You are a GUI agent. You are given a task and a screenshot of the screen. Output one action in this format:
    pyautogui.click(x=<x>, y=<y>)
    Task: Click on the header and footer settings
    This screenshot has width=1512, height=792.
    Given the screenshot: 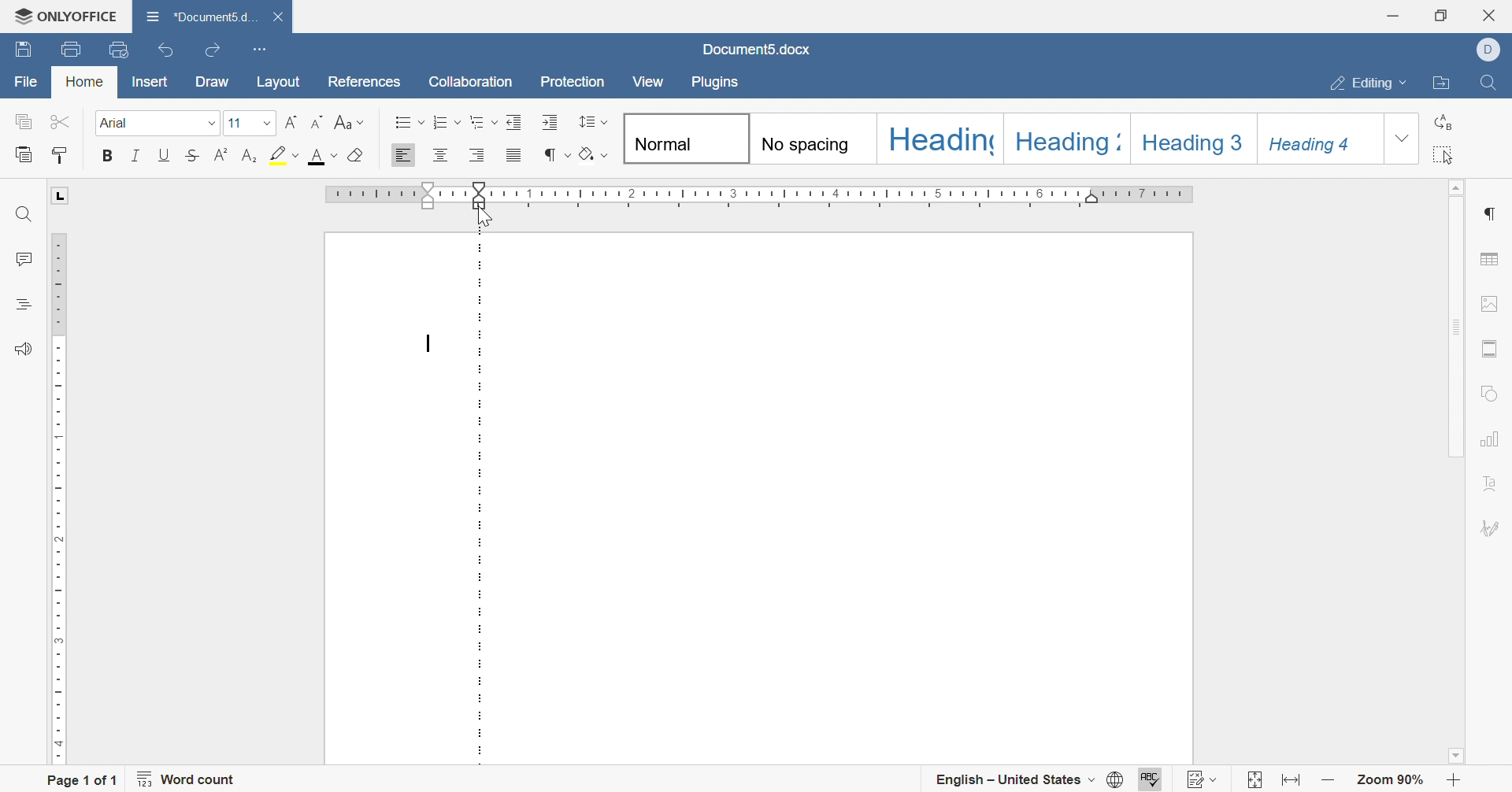 What is the action you would take?
    pyautogui.click(x=1492, y=347)
    